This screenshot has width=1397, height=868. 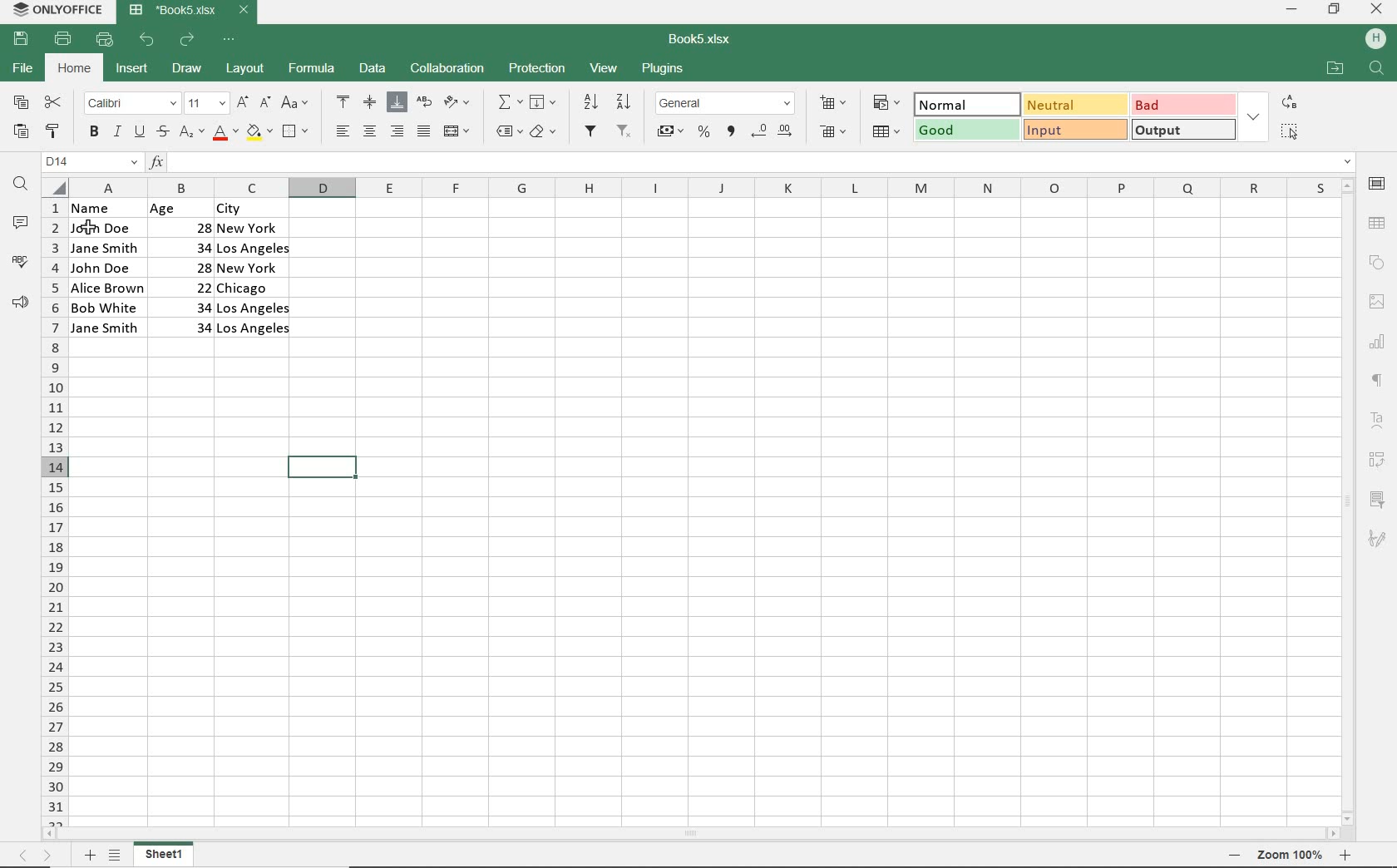 I want to click on COLUMNS, so click(x=54, y=511).